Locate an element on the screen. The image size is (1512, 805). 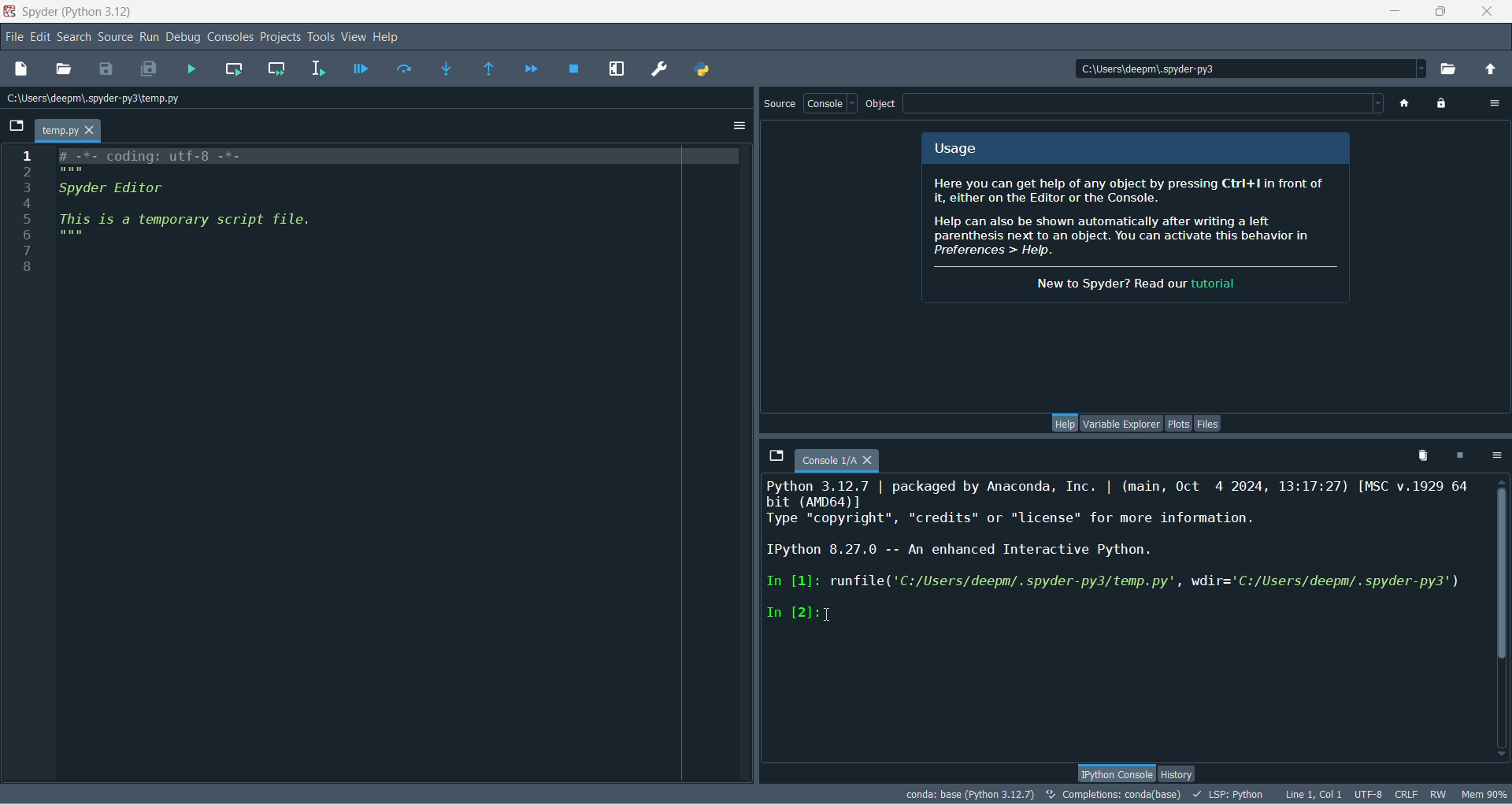
new is located at coordinates (21, 69).